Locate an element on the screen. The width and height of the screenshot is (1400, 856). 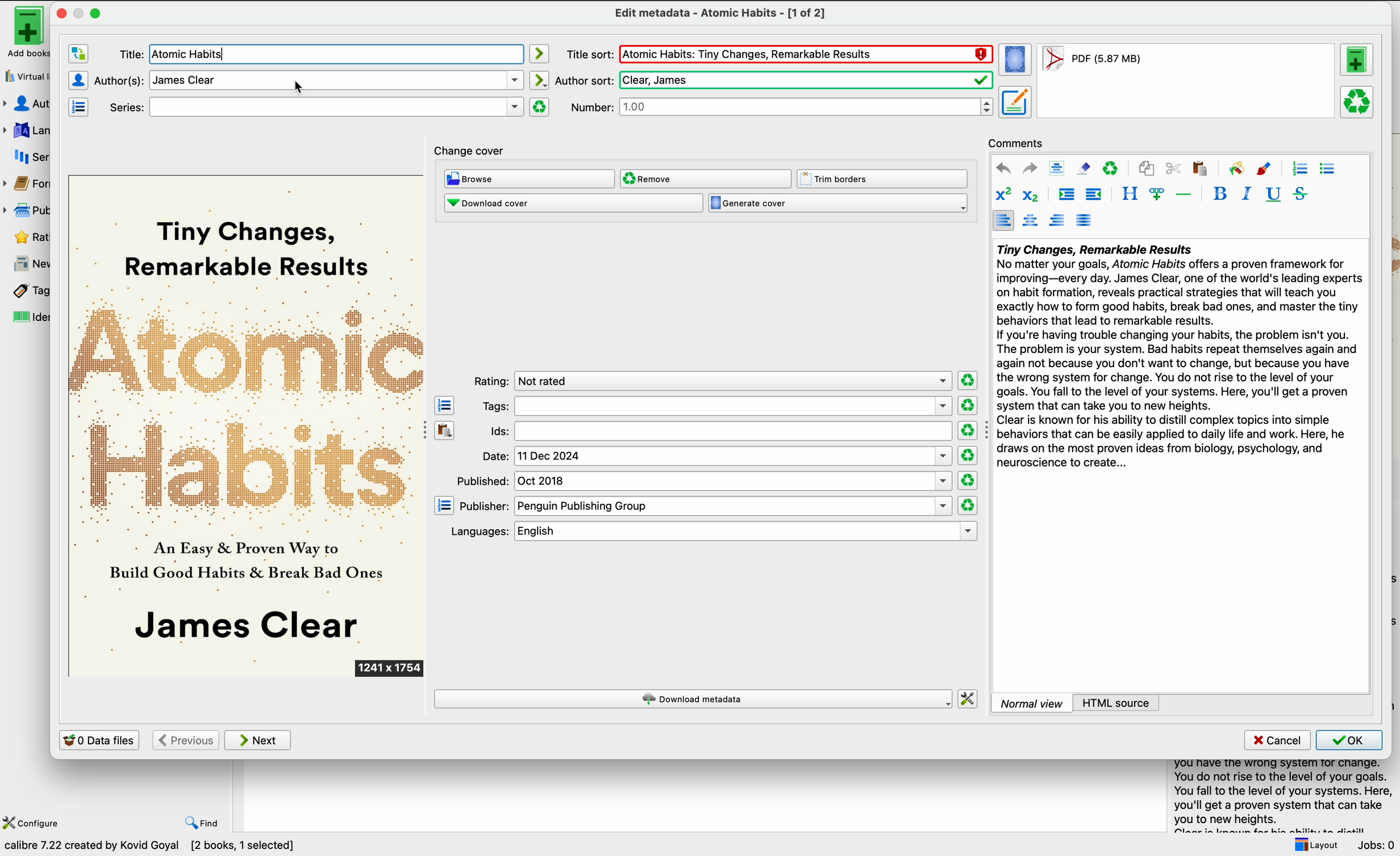
number is located at coordinates (782, 107).